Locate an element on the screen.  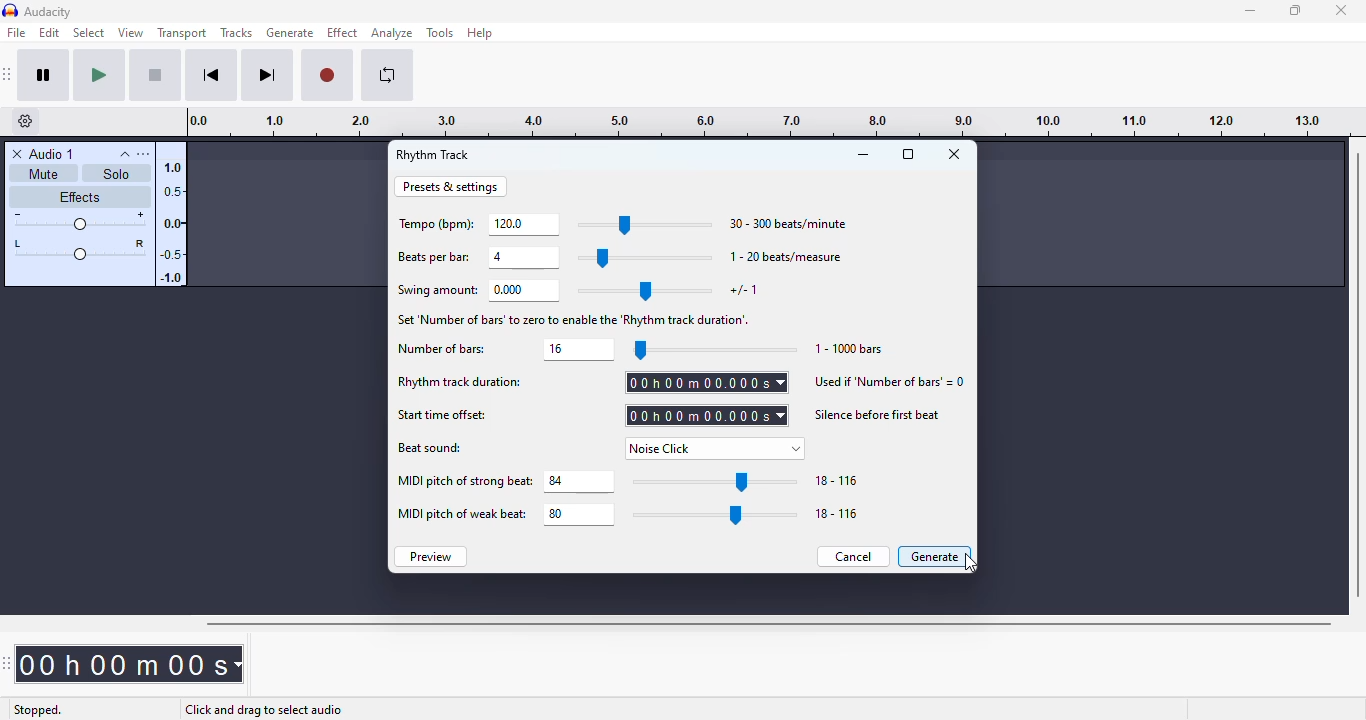
18-116 is located at coordinates (837, 513).